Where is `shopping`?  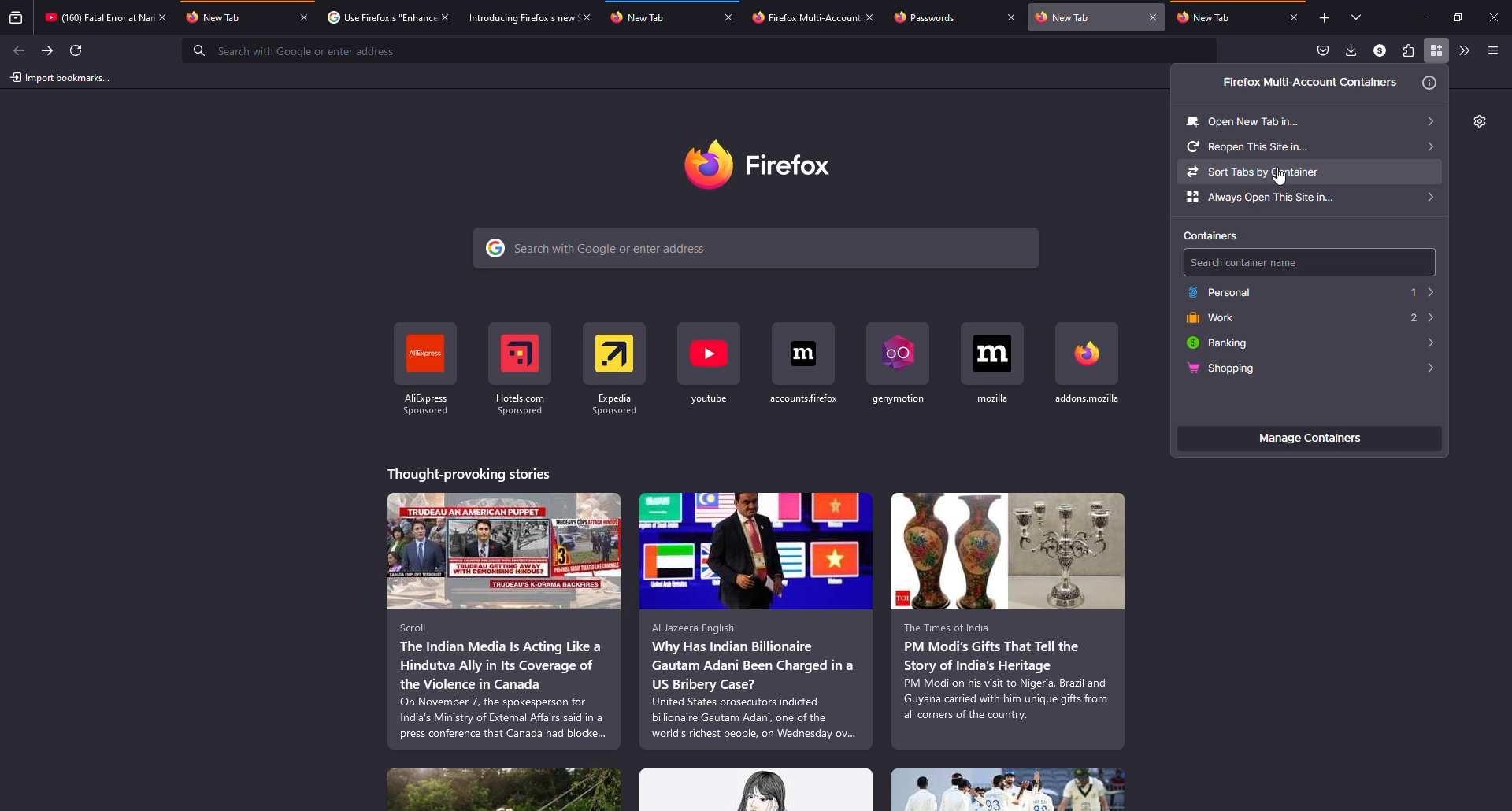 shopping is located at coordinates (1220, 369).